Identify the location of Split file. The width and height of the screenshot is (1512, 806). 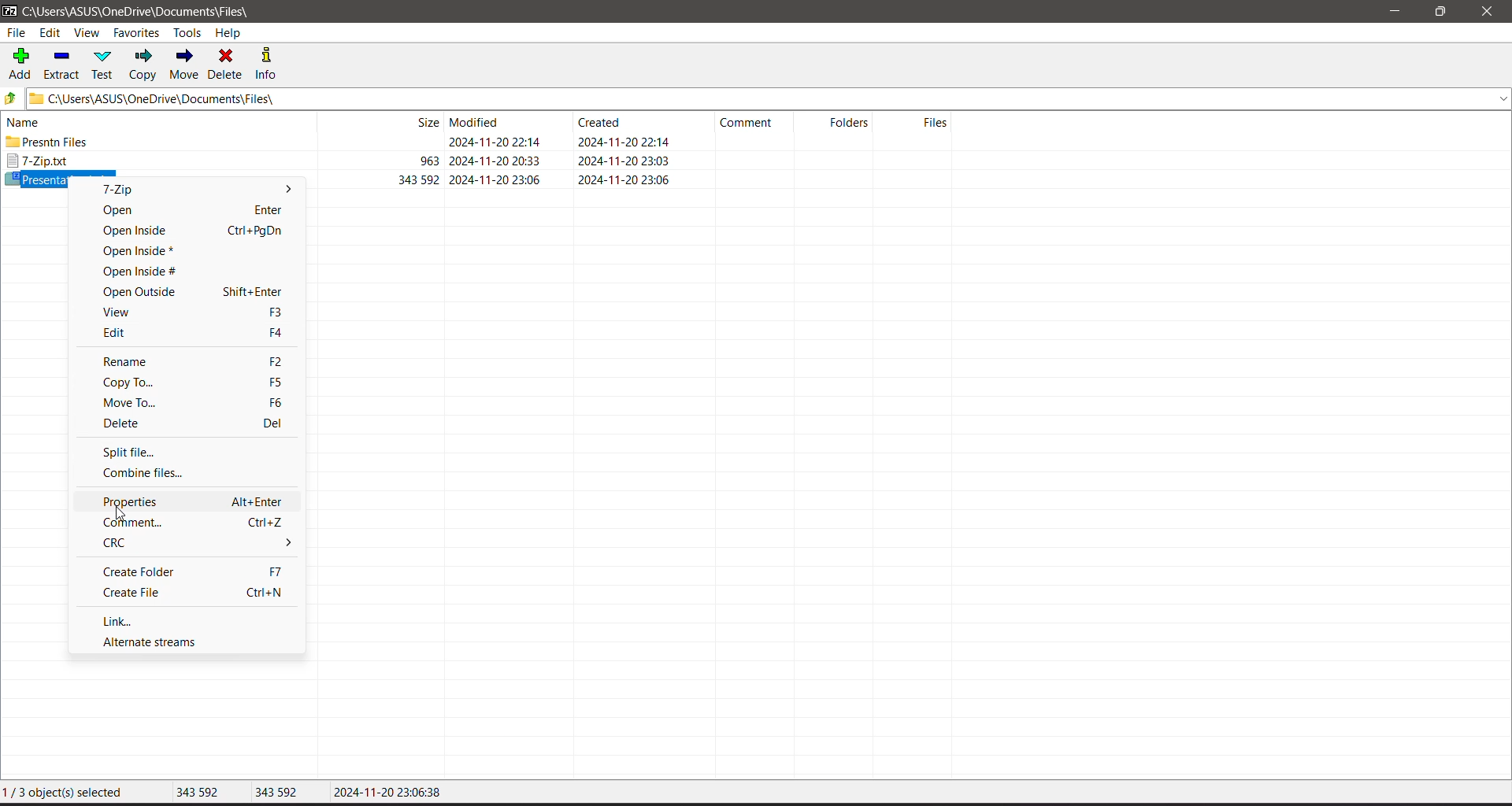
(129, 450).